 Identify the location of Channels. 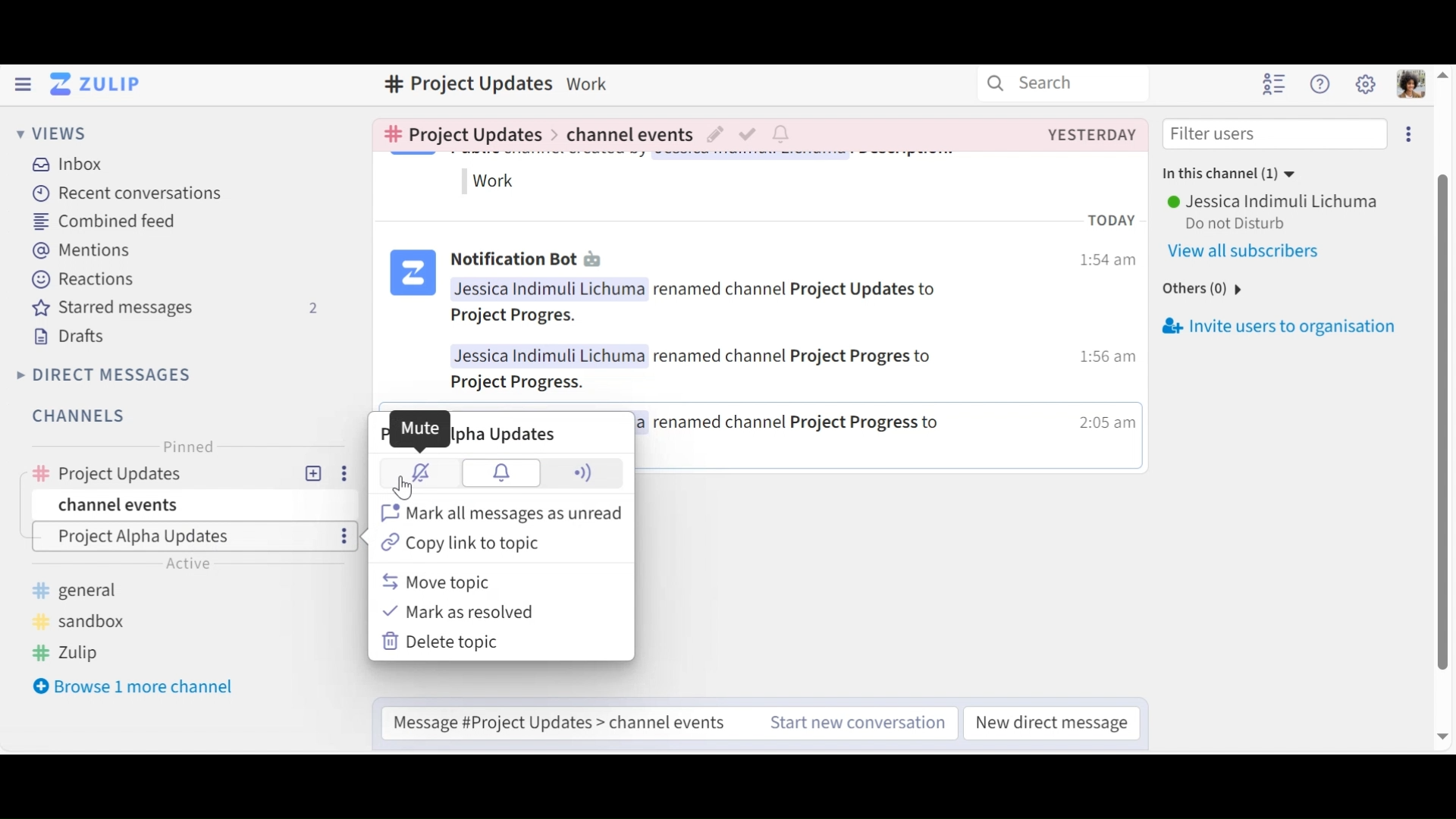
(84, 418).